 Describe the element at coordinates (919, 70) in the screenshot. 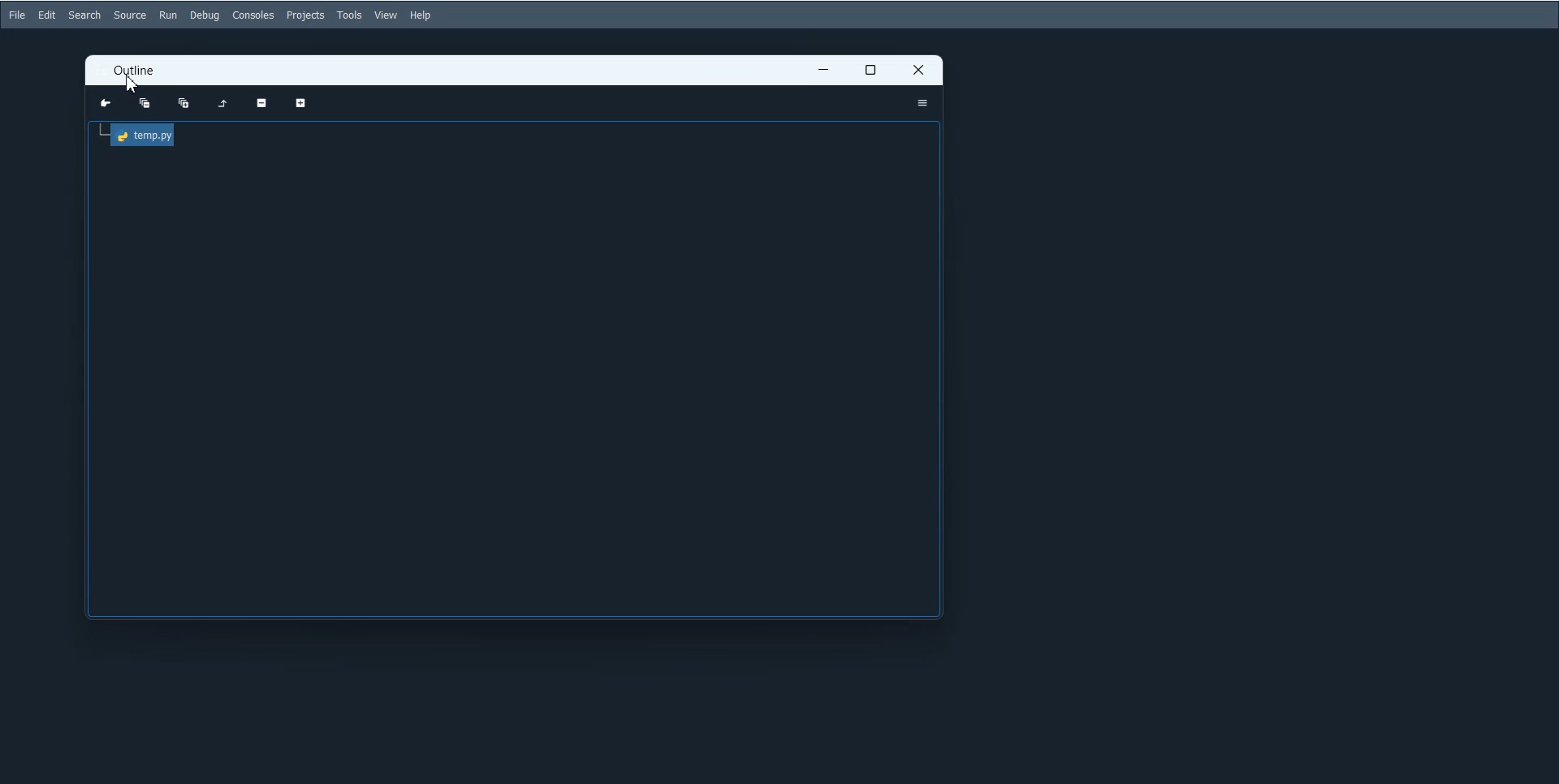

I see `Close` at that location.